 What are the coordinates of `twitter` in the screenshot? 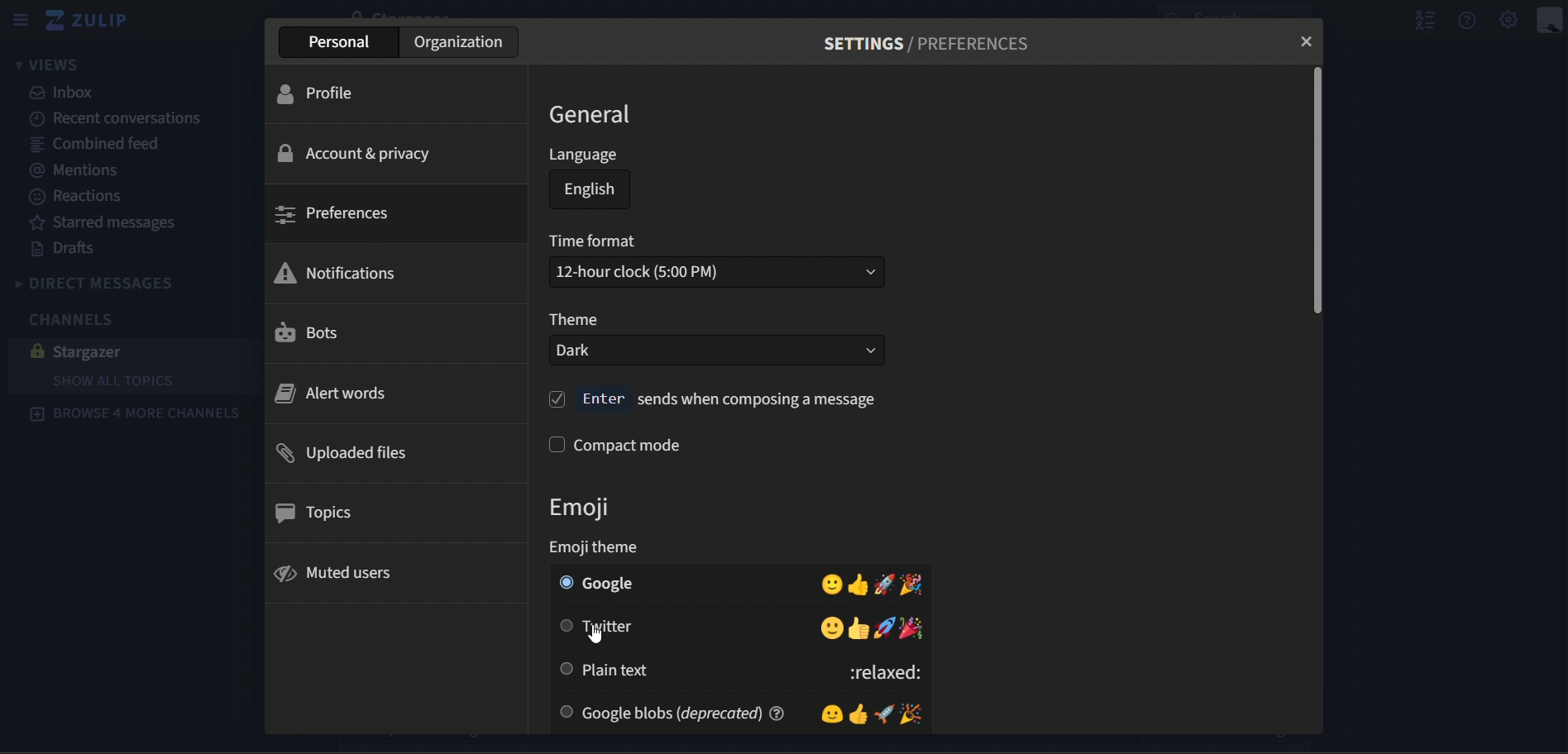 It's located at (743, 628).